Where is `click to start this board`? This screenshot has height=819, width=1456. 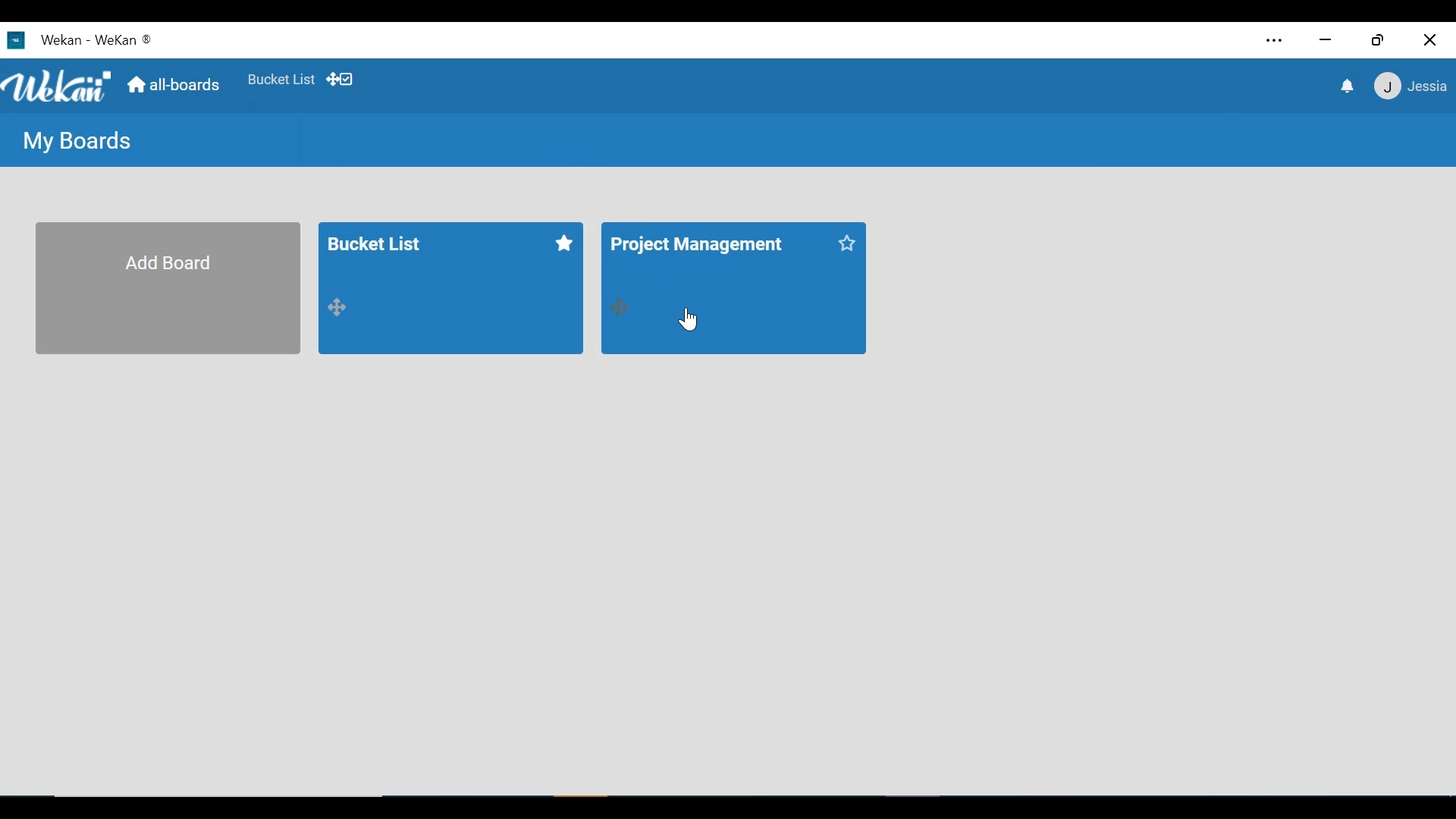 click to start this board is located at coordinates (853, 246).